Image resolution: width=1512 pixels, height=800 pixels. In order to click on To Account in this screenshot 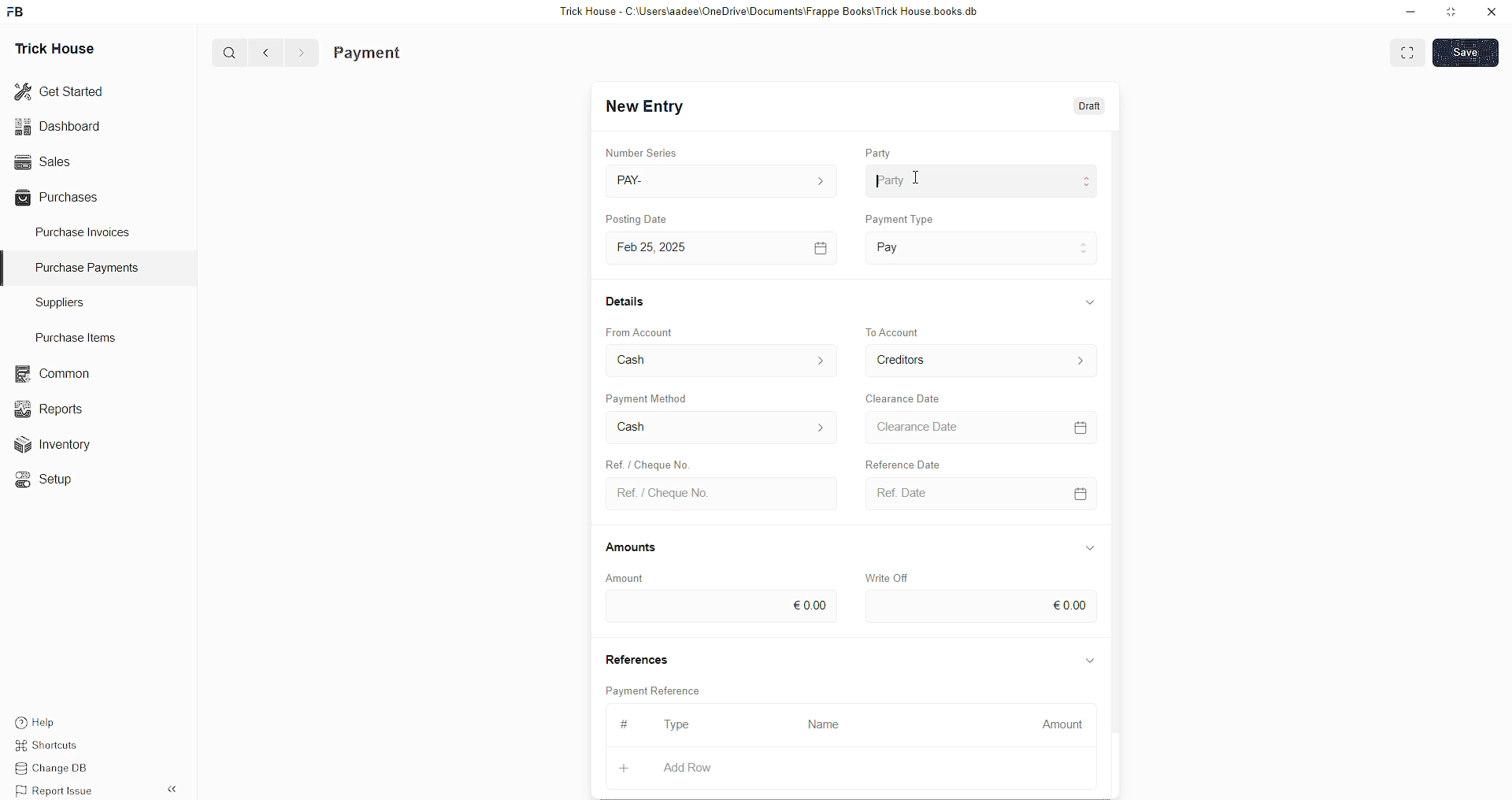, I will do `click(907, 359)`.